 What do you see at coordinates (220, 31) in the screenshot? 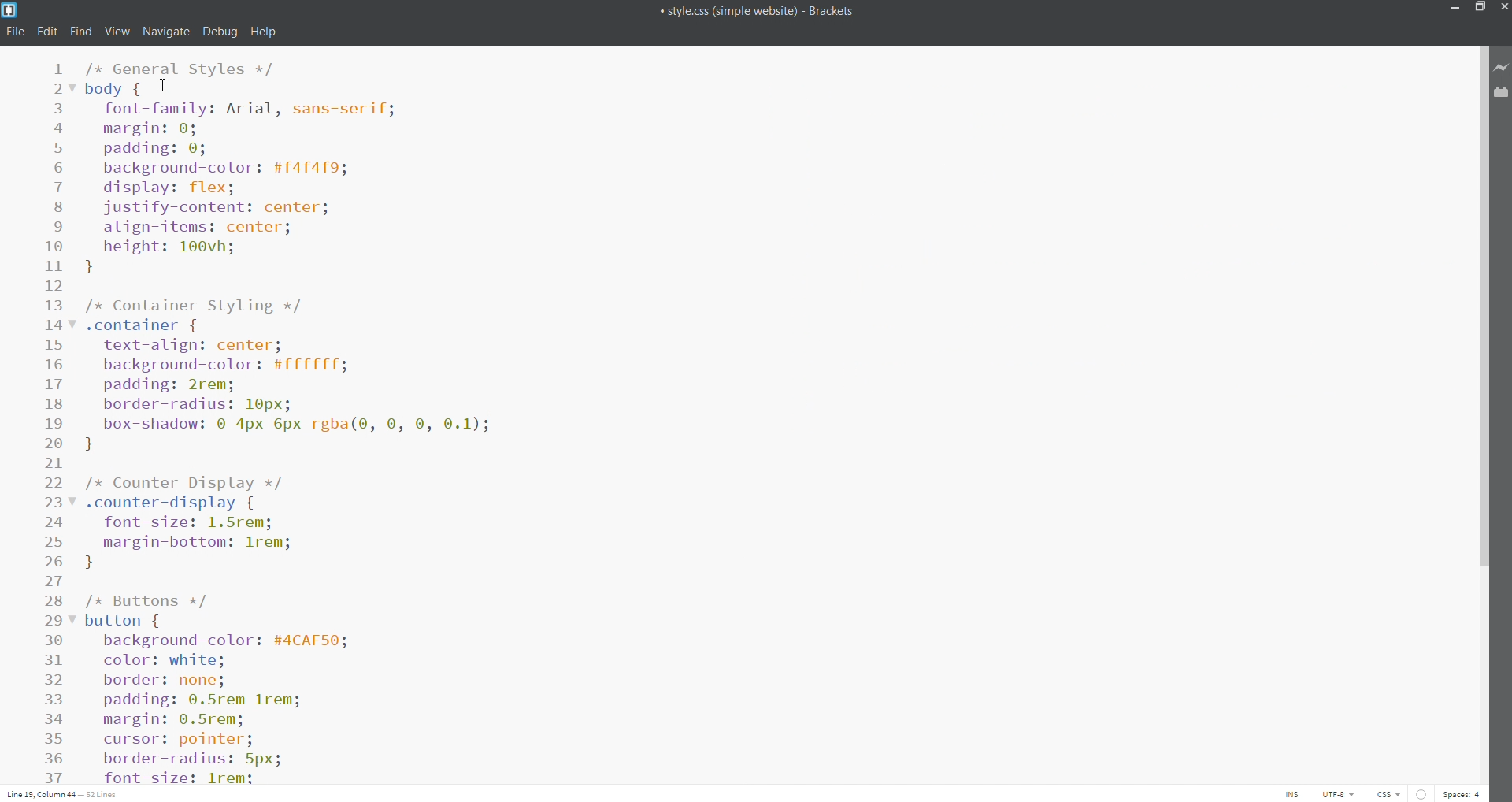
I see `debug` at bounding box center [220, 31].